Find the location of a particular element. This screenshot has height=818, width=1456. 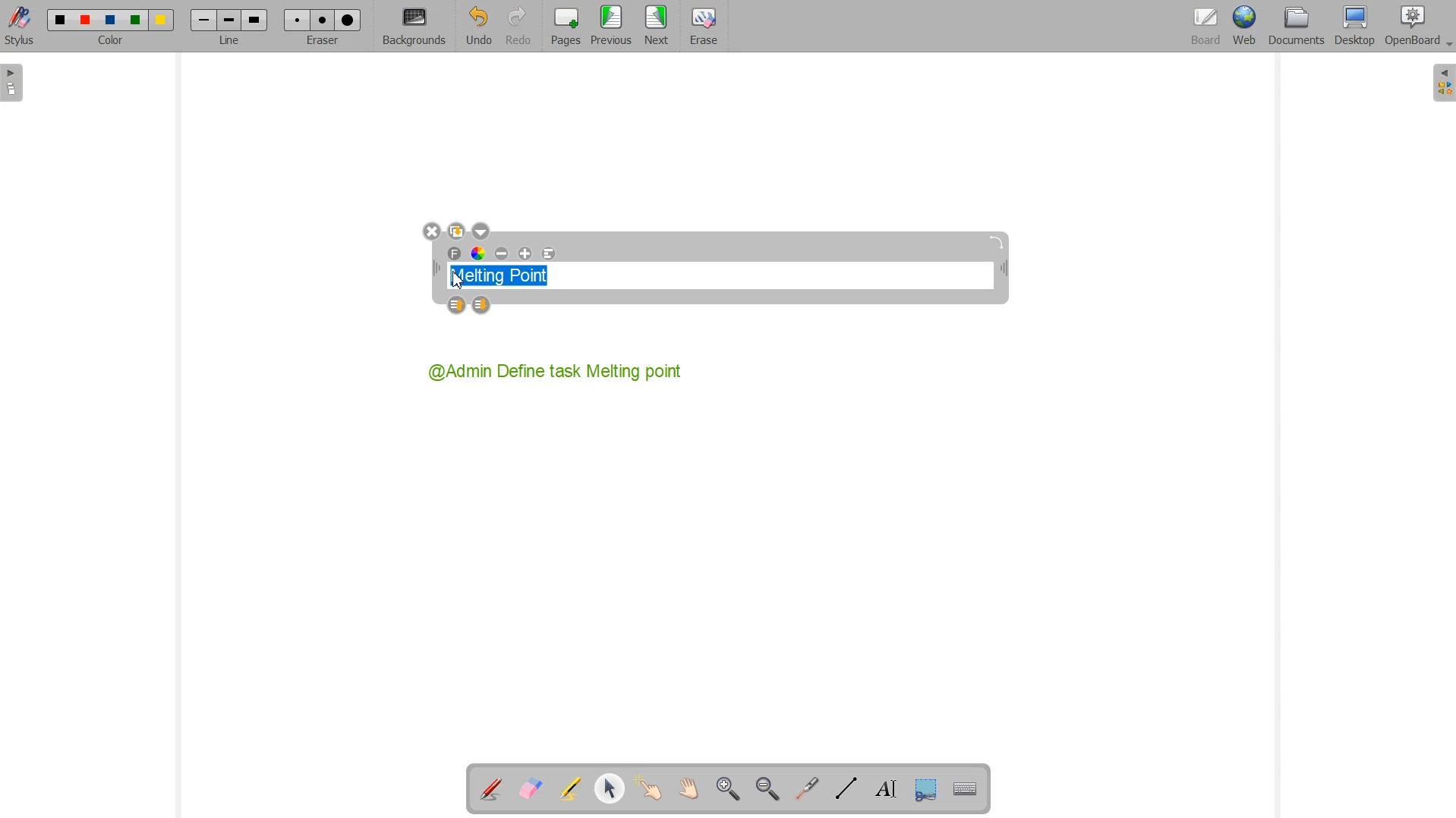

Line is located at coordinates (228, 27).